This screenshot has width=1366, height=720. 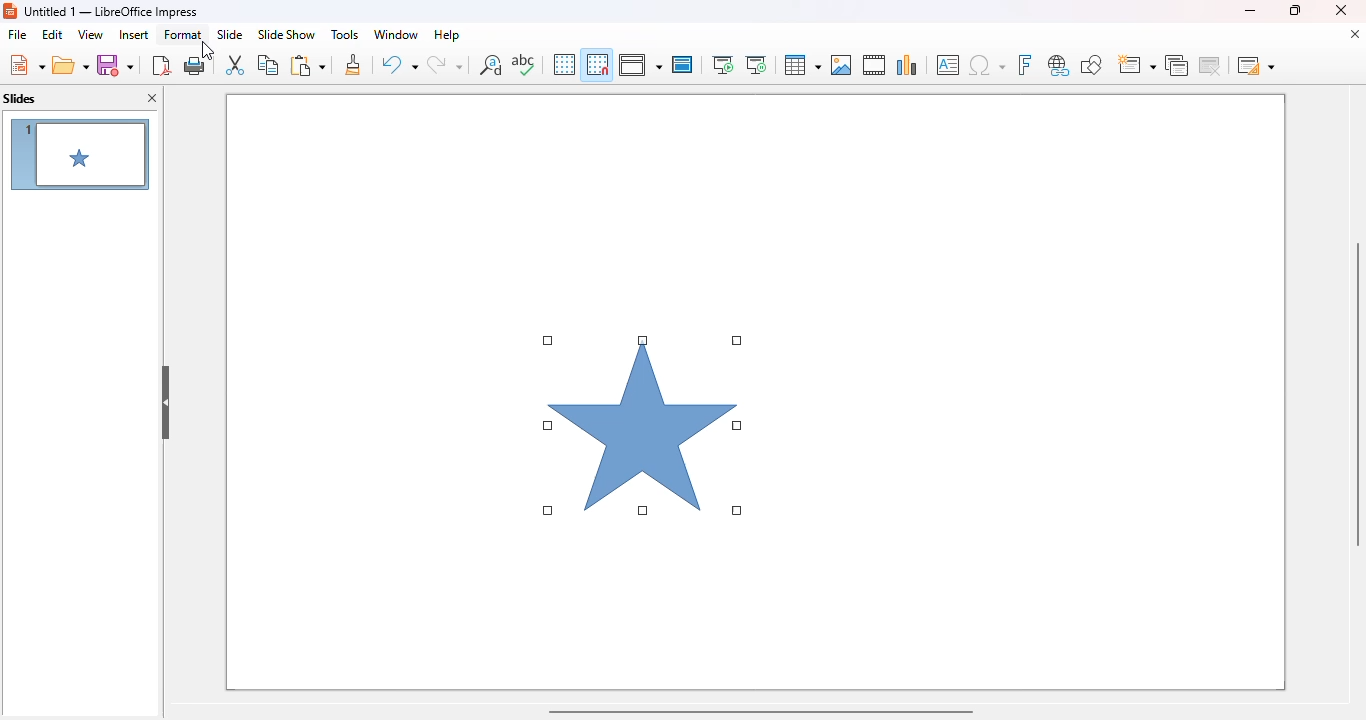 I want to click on vertical scroll bar, so click(x=1354, y=394).